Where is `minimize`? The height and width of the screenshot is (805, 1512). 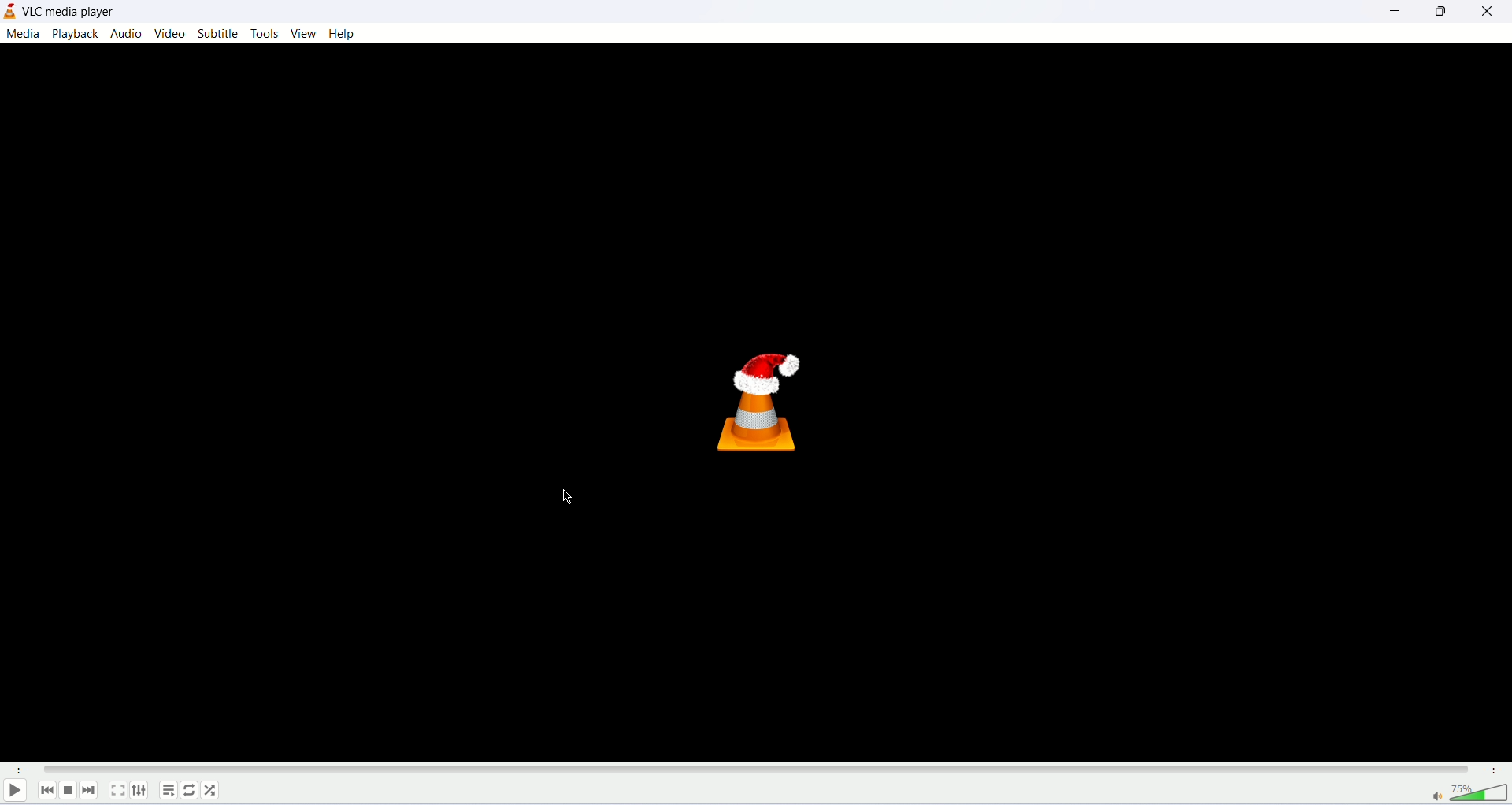
minimize is located at coordinates (1395, 11).